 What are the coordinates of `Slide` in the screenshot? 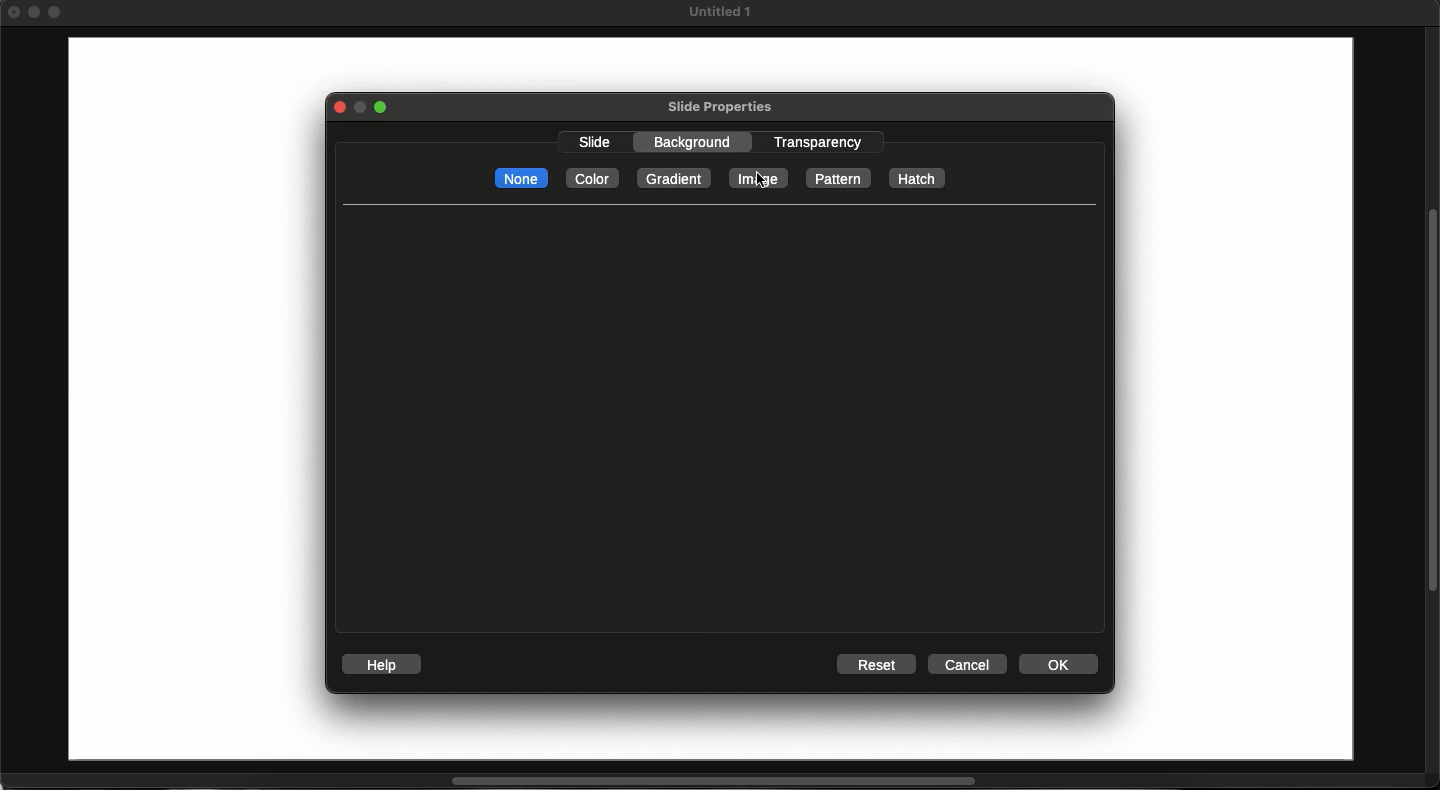 It's located at (188, 401).